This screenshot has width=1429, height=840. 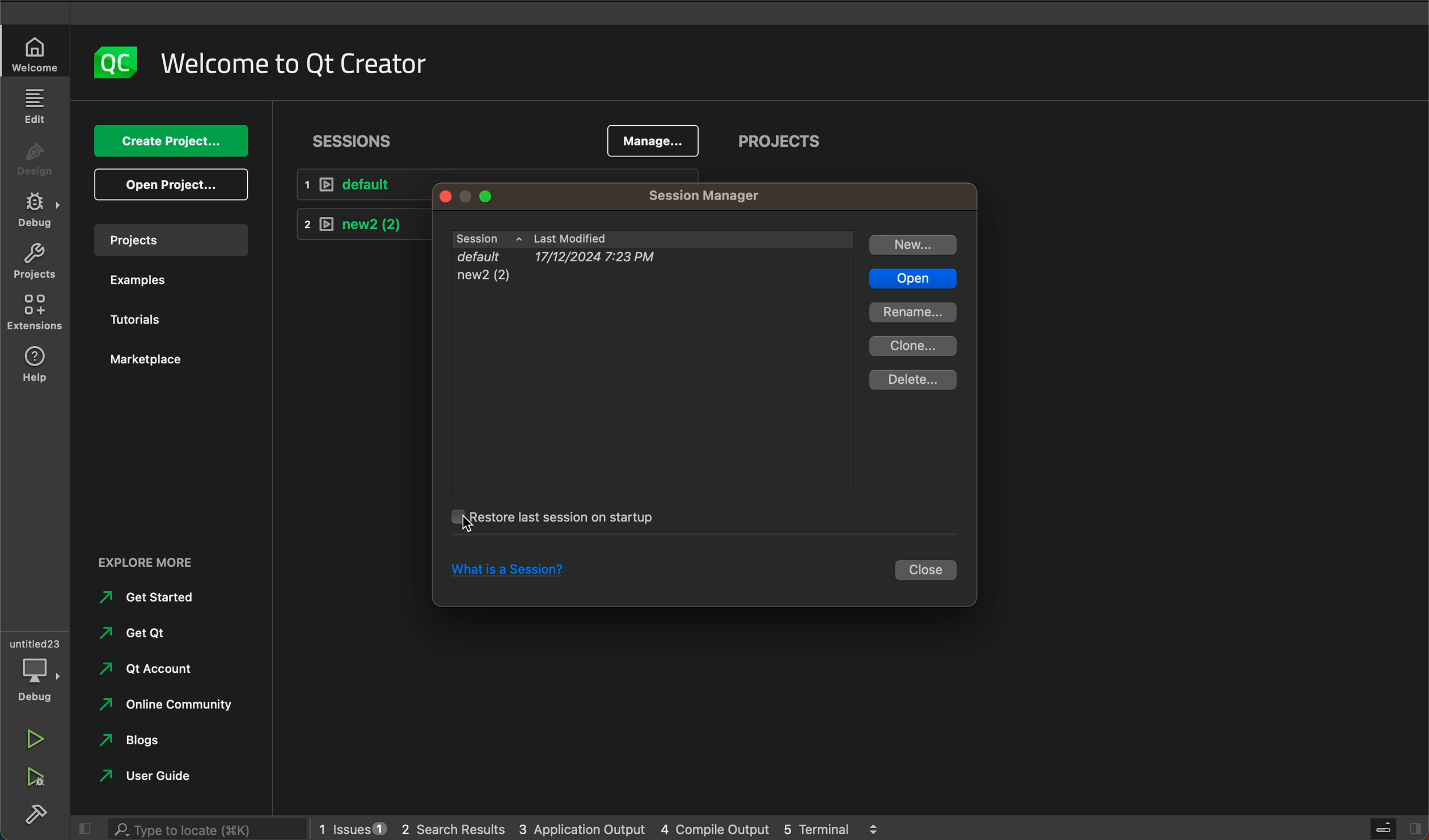 What do you see at coordinates (31, 741) in the screenshot?
I see `run` at bounding box center [31, 741].